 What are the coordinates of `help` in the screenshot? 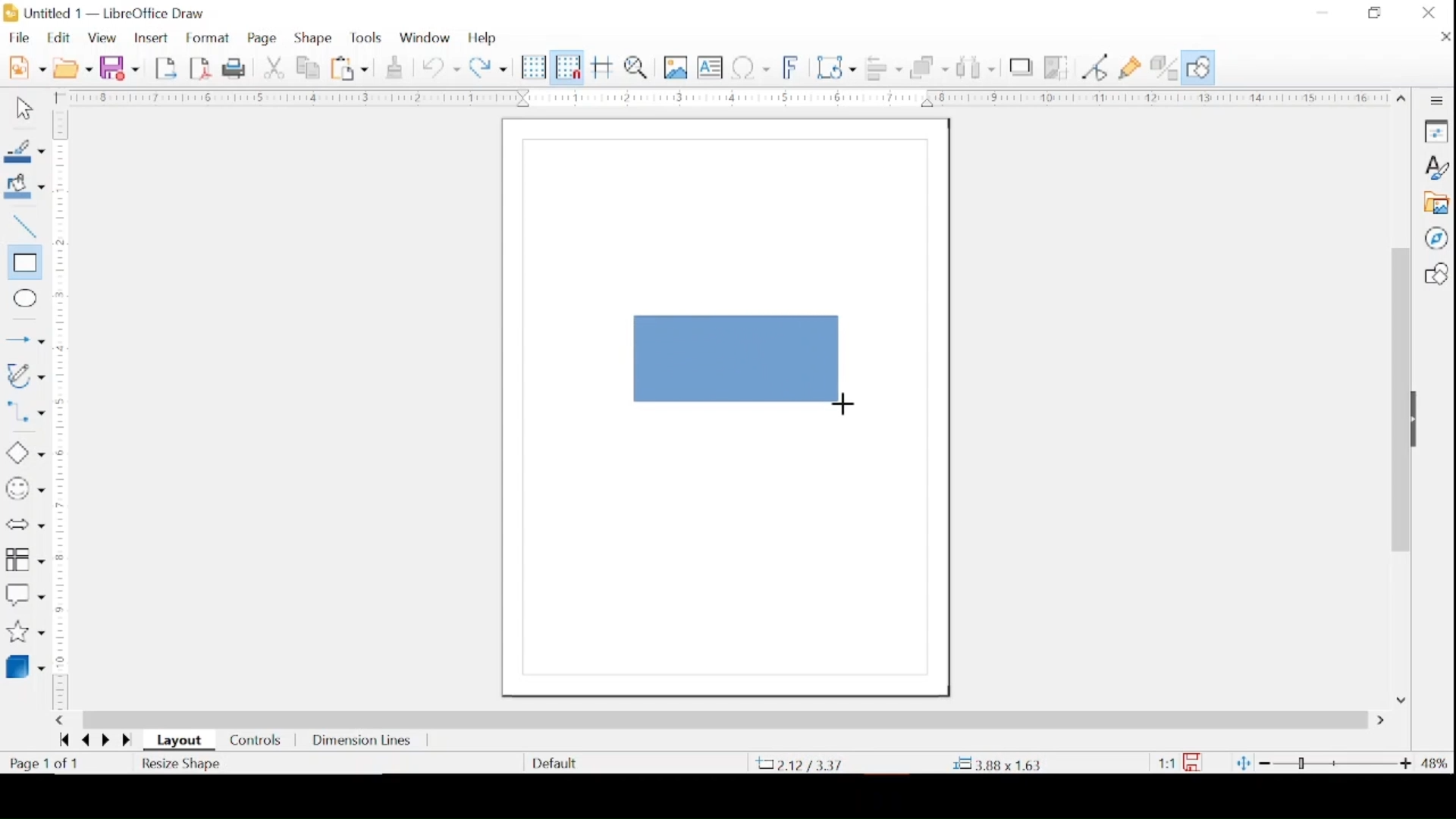 It's located at (484, 38).